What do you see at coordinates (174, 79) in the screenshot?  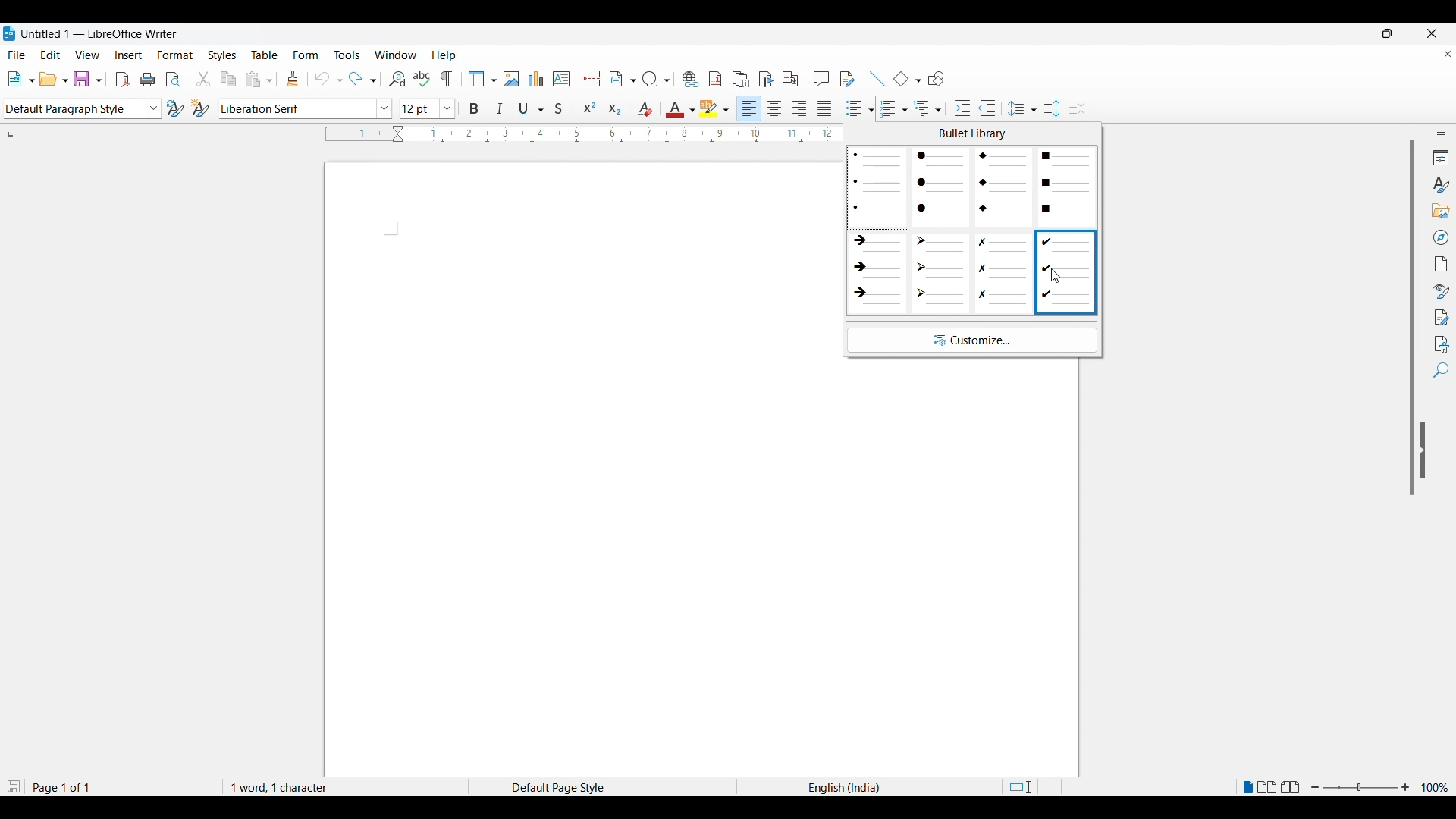 I see `toggle print preview` at bounding box center [174, 79].